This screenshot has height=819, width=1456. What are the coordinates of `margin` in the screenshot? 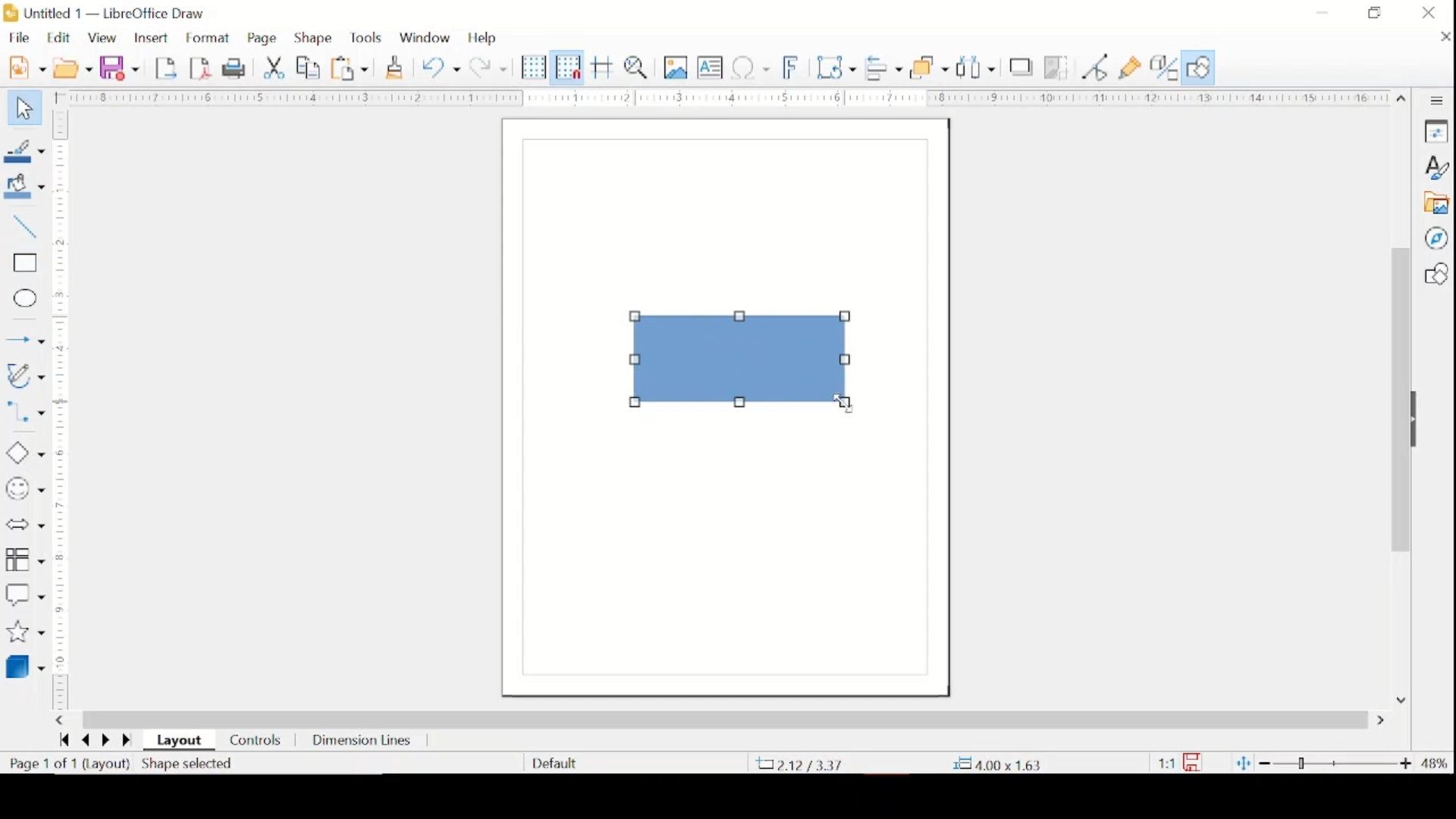 It's located at (719, 97).